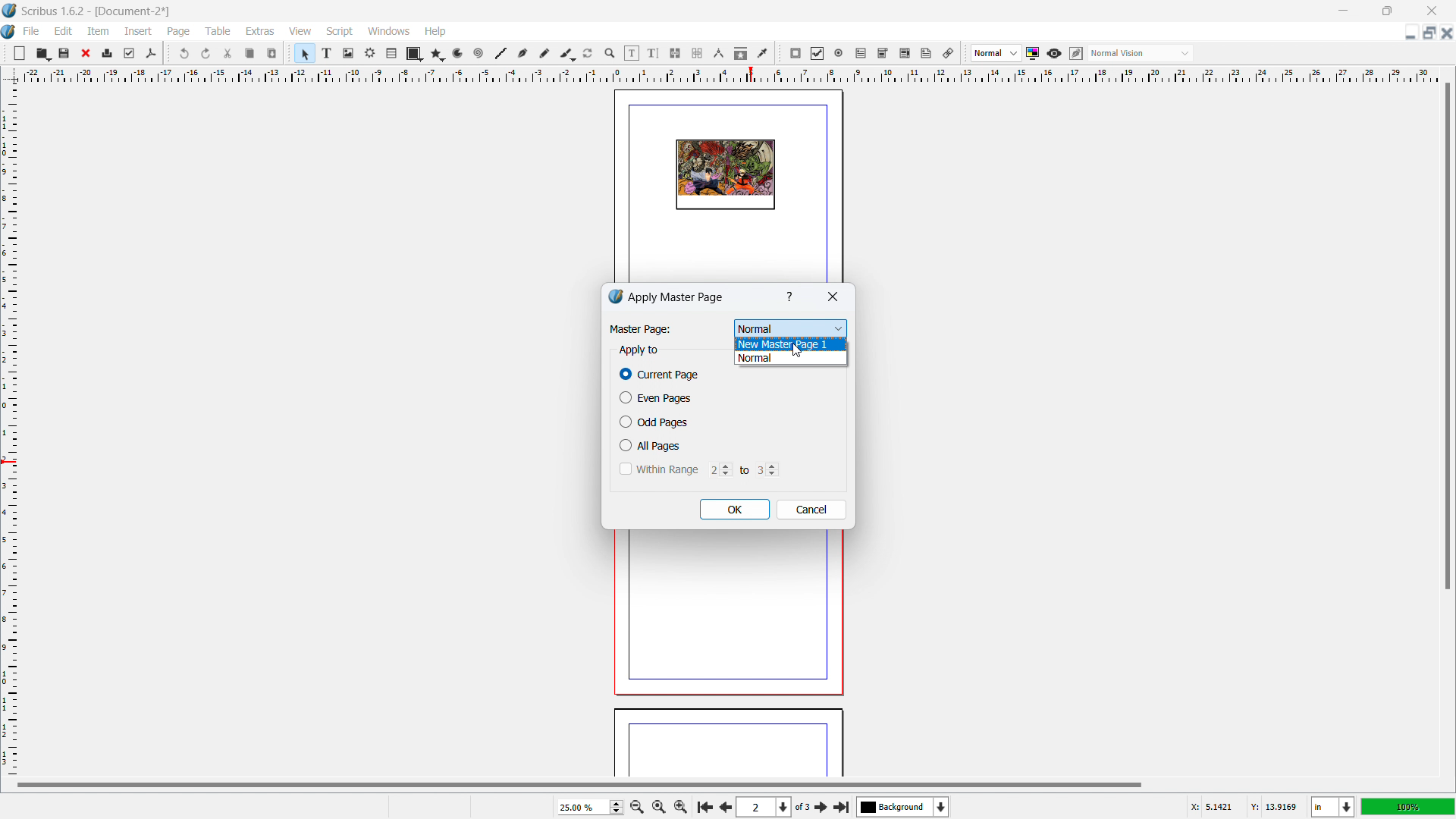 Image resolution: width=1456 pixels, height=819 pixels. What do you see at coordinates (655, 397) in the screenshot?
I see `even pages checkbox` at bounding box center [655, 397].